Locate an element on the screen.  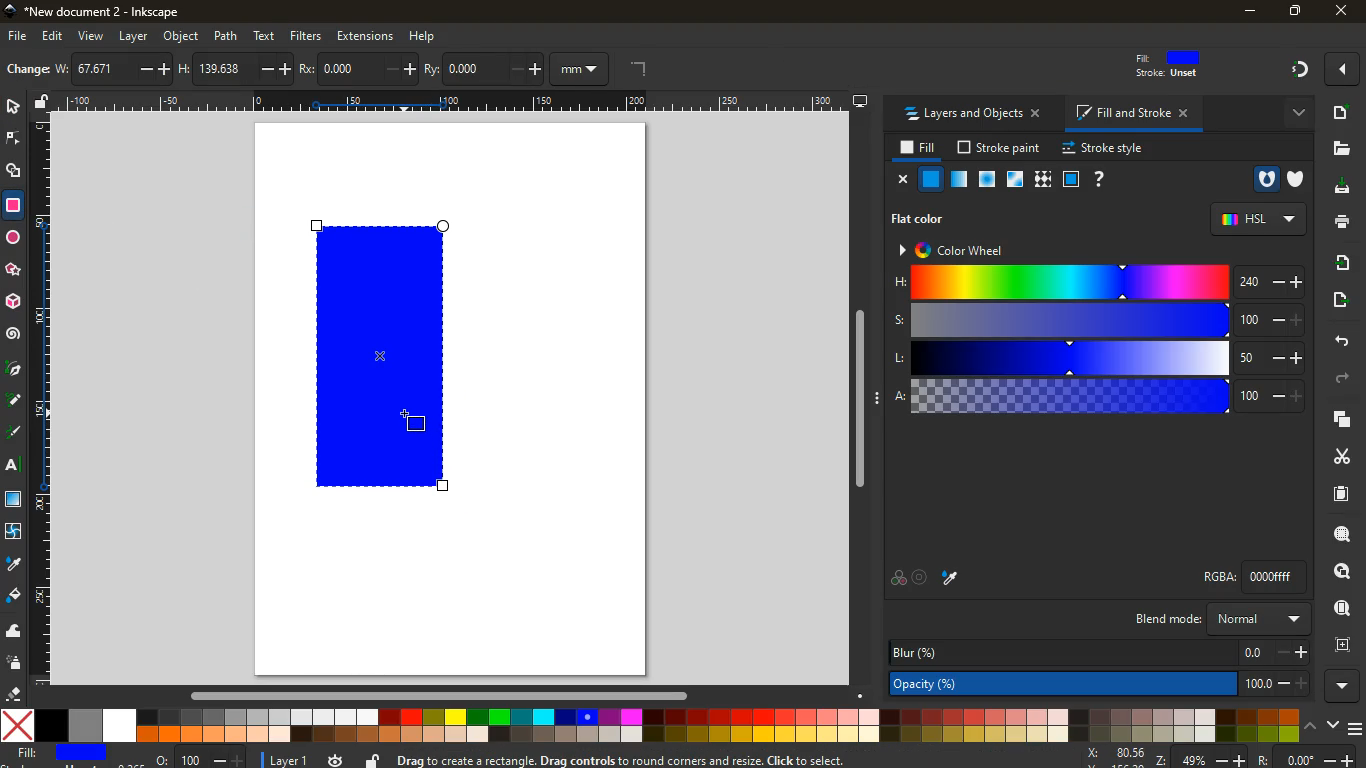
look is located at coordinates (1342, 570).